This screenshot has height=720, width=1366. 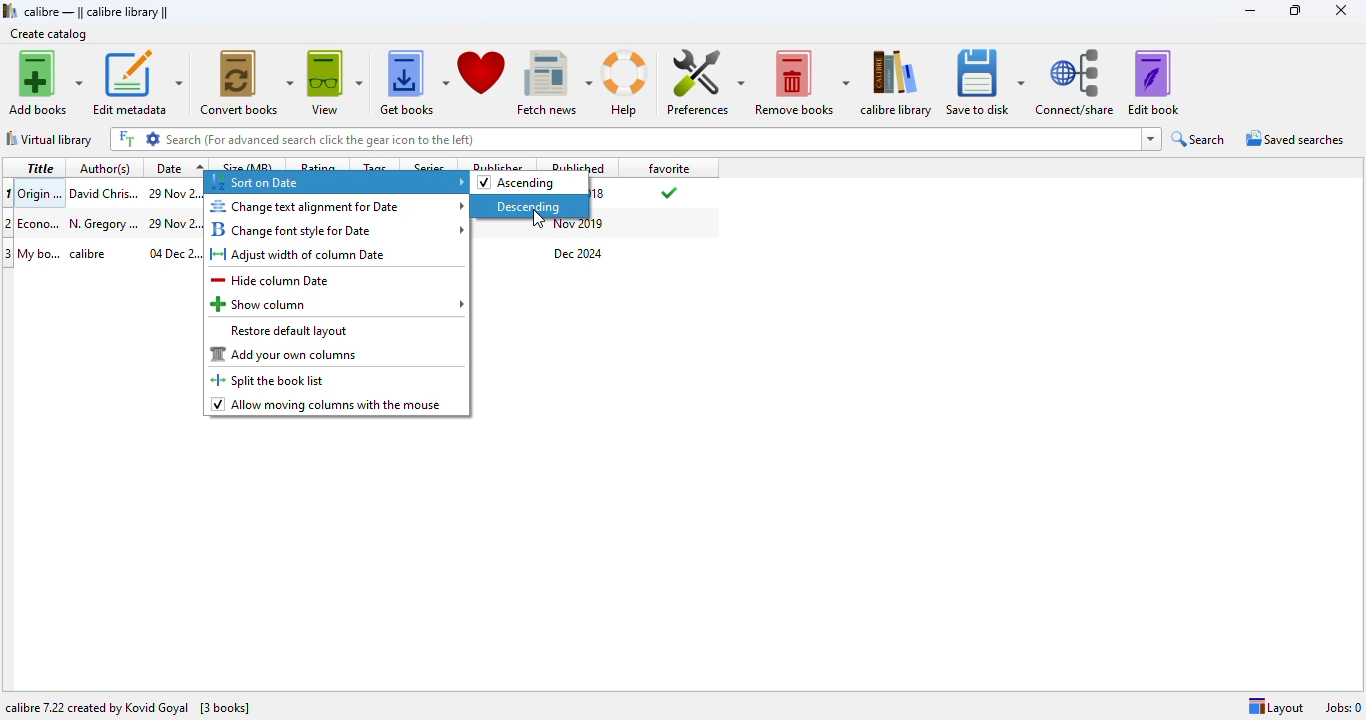 What do you see at coordinates (896, 82) in the screenshot?
I see `calibre library` at bounding box center [896, 82].